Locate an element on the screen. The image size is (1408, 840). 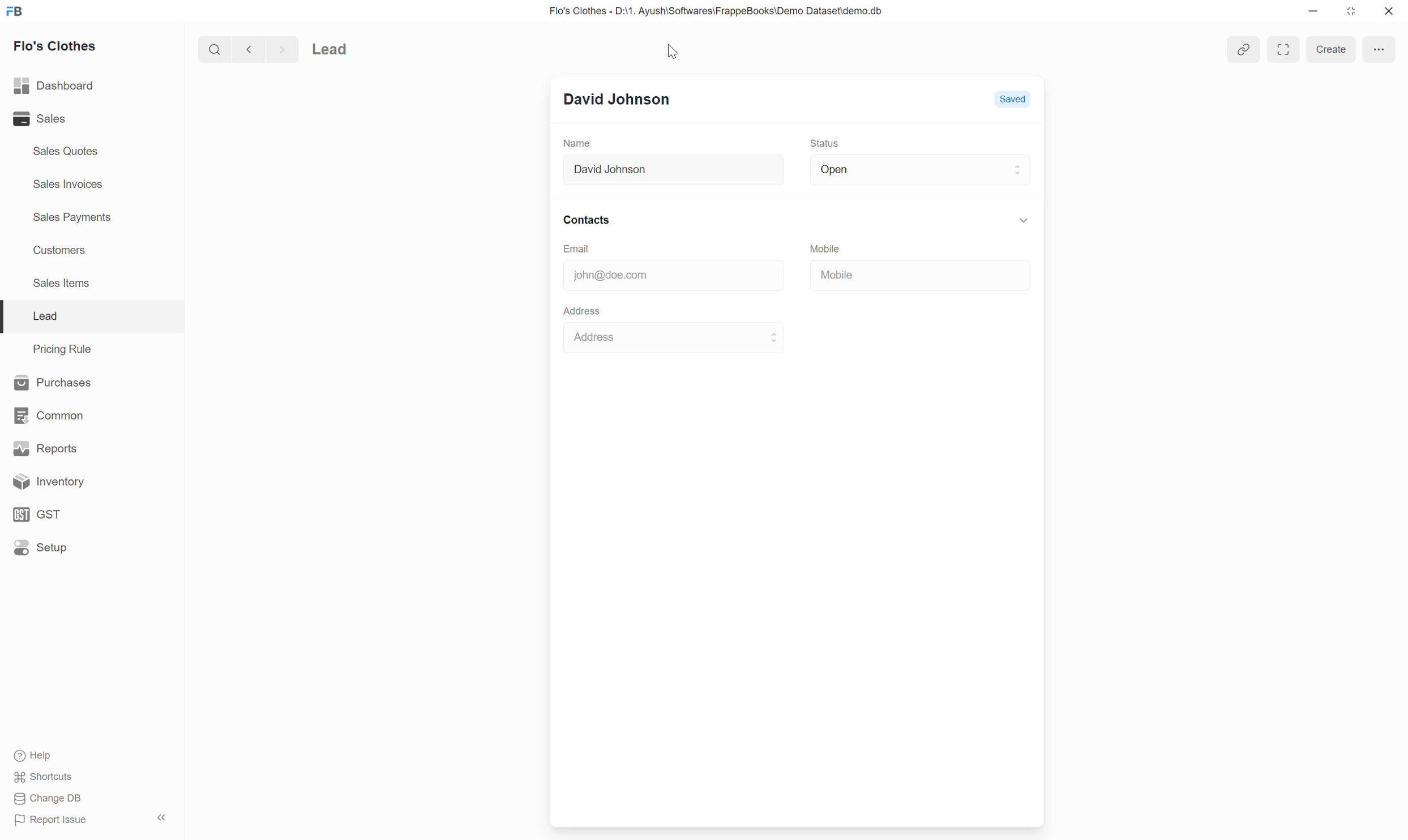
Inventory is located at coordinates (45, 482).